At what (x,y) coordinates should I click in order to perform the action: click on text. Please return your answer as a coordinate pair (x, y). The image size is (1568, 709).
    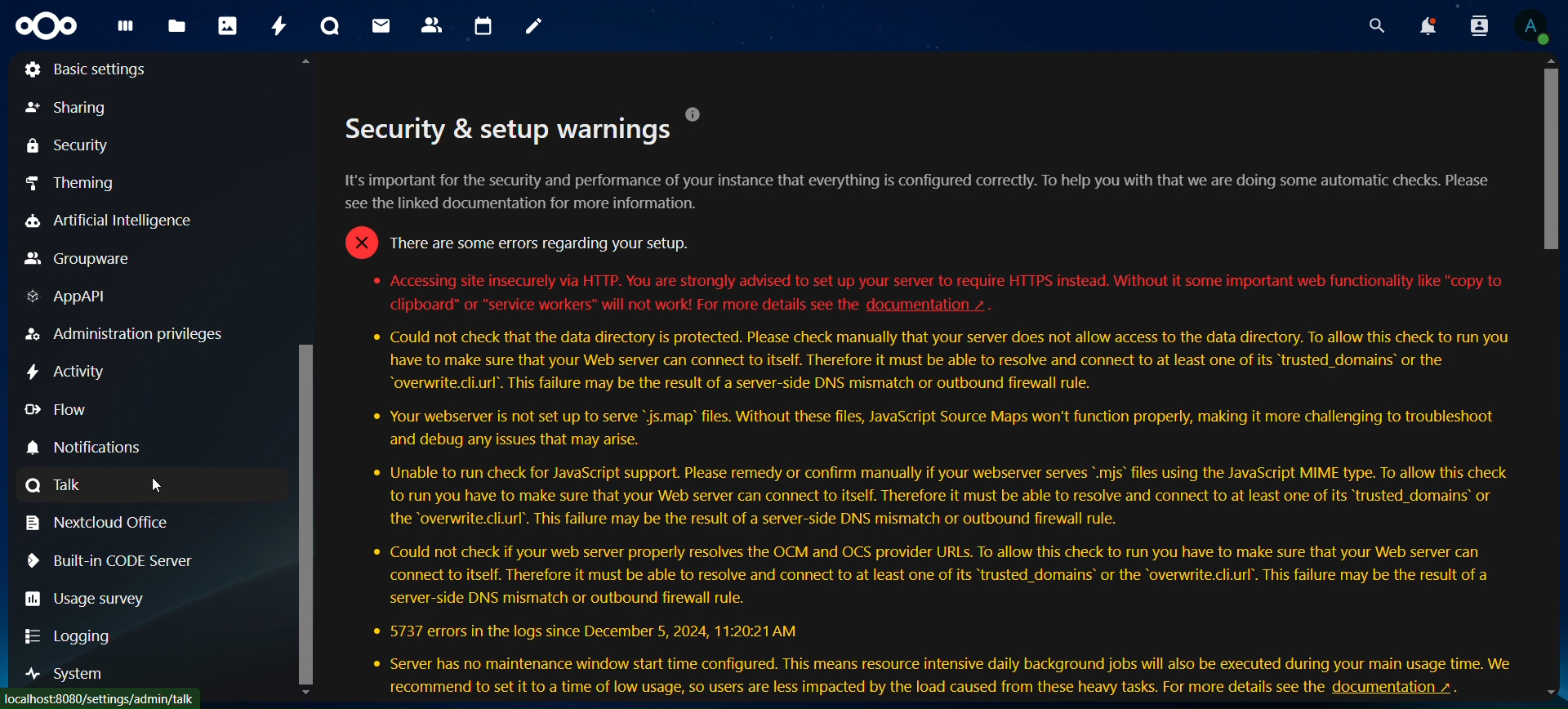
    Looking at the image, I should click on (922, 223).